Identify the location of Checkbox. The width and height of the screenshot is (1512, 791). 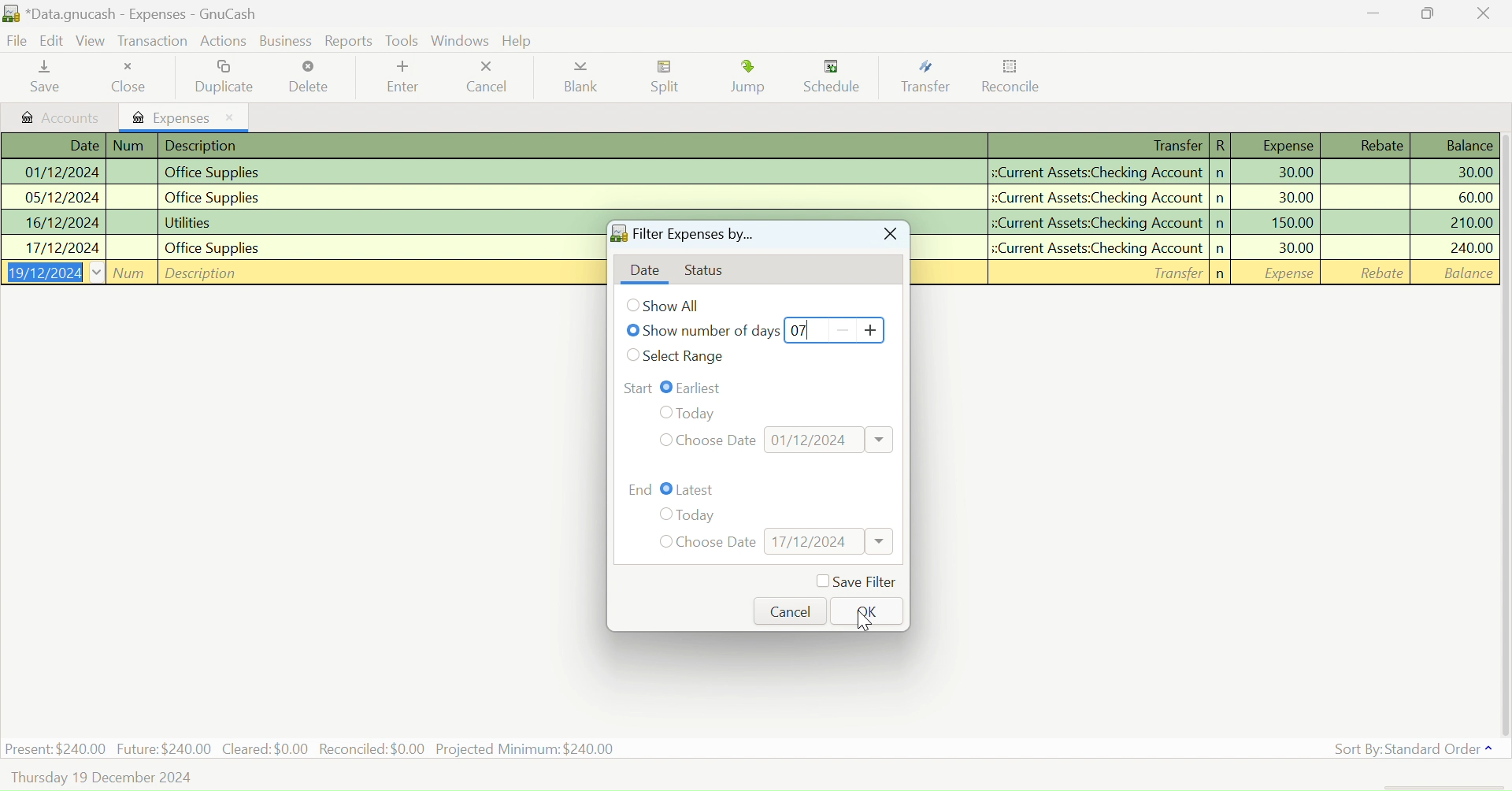
(667, 489).